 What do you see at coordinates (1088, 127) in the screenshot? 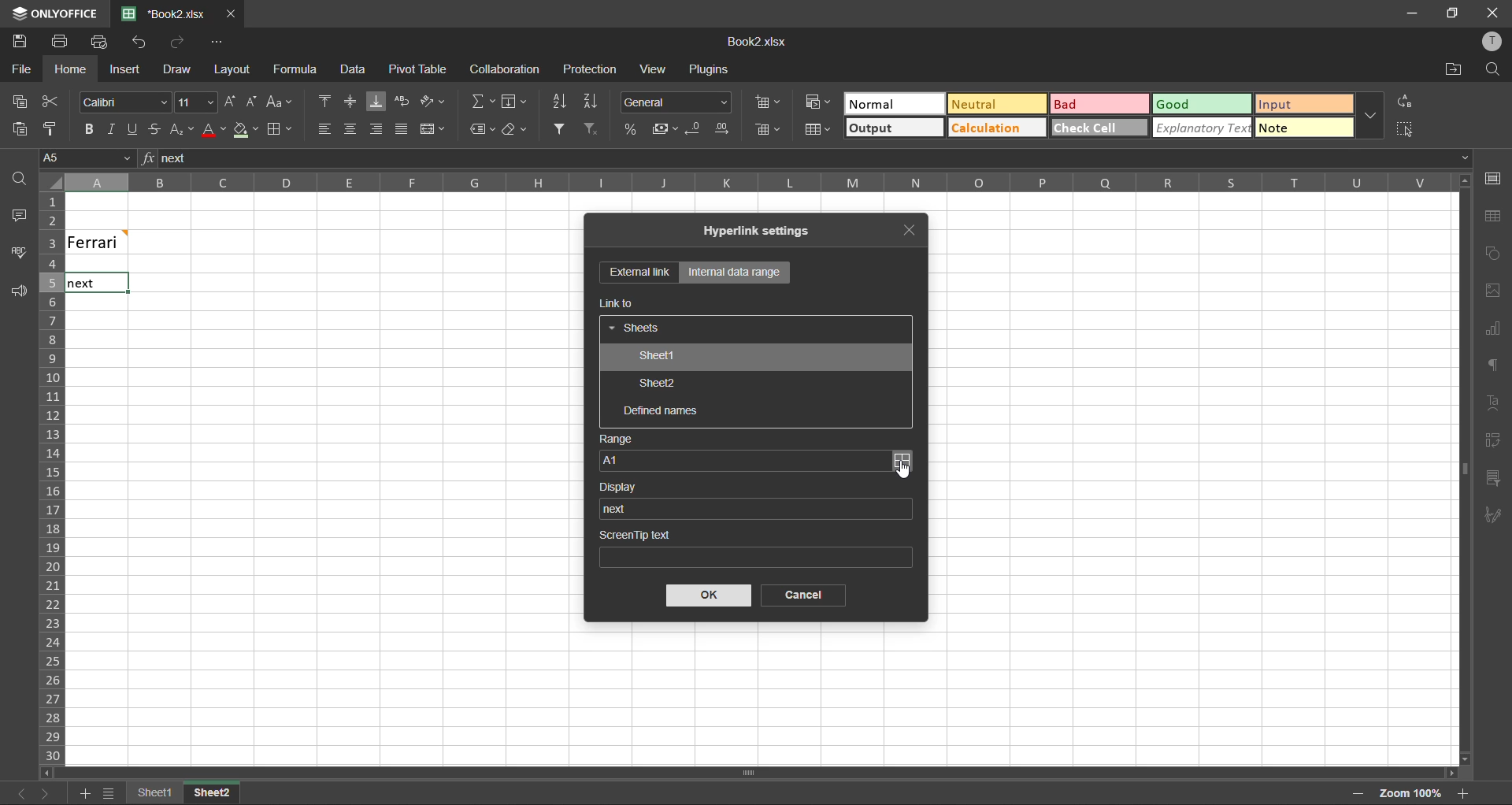
I see `check cell` at bounding box center [1088, 127].